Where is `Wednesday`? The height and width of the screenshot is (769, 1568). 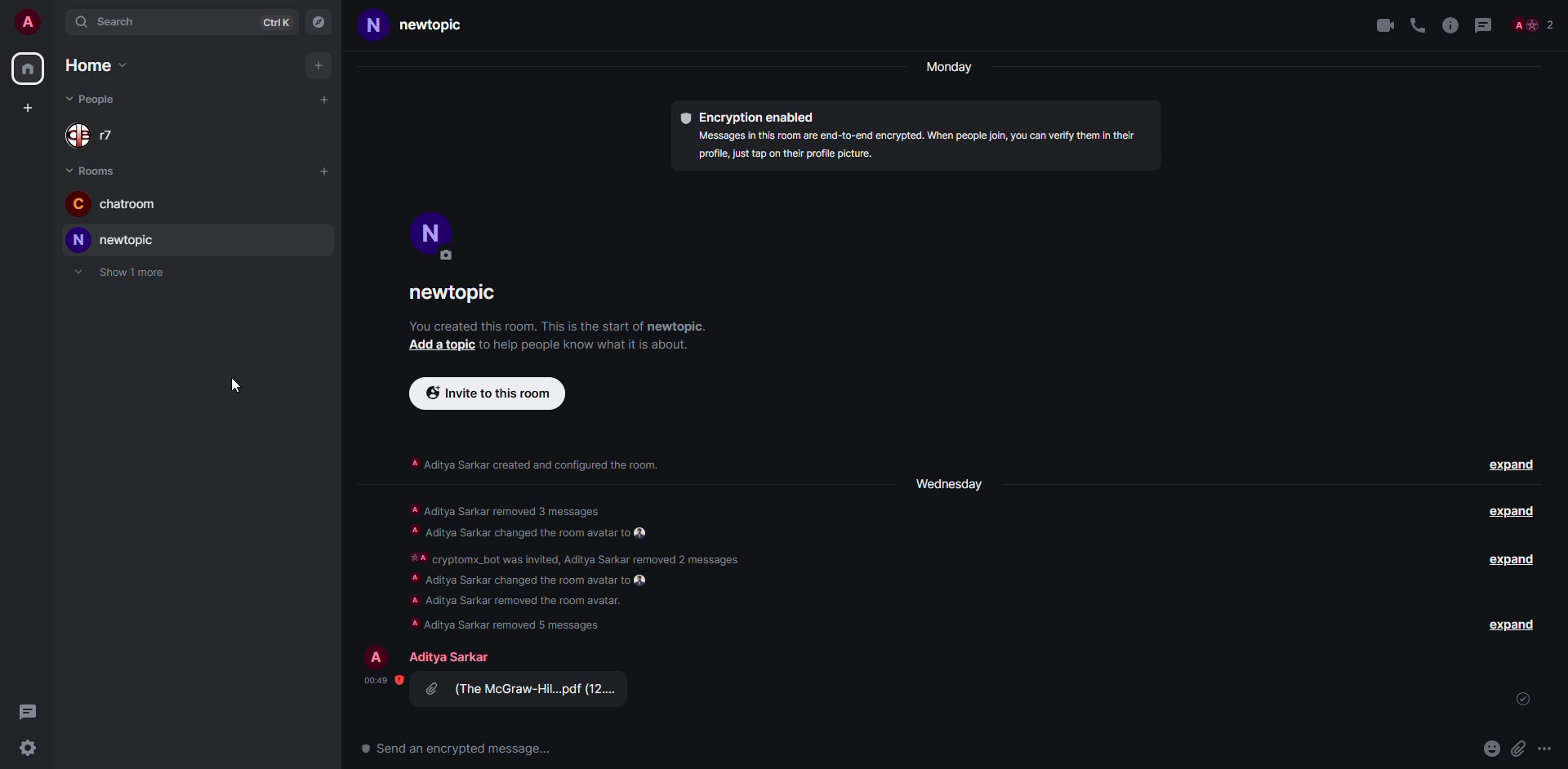 Wednesday is located at coordinates (951, 482).